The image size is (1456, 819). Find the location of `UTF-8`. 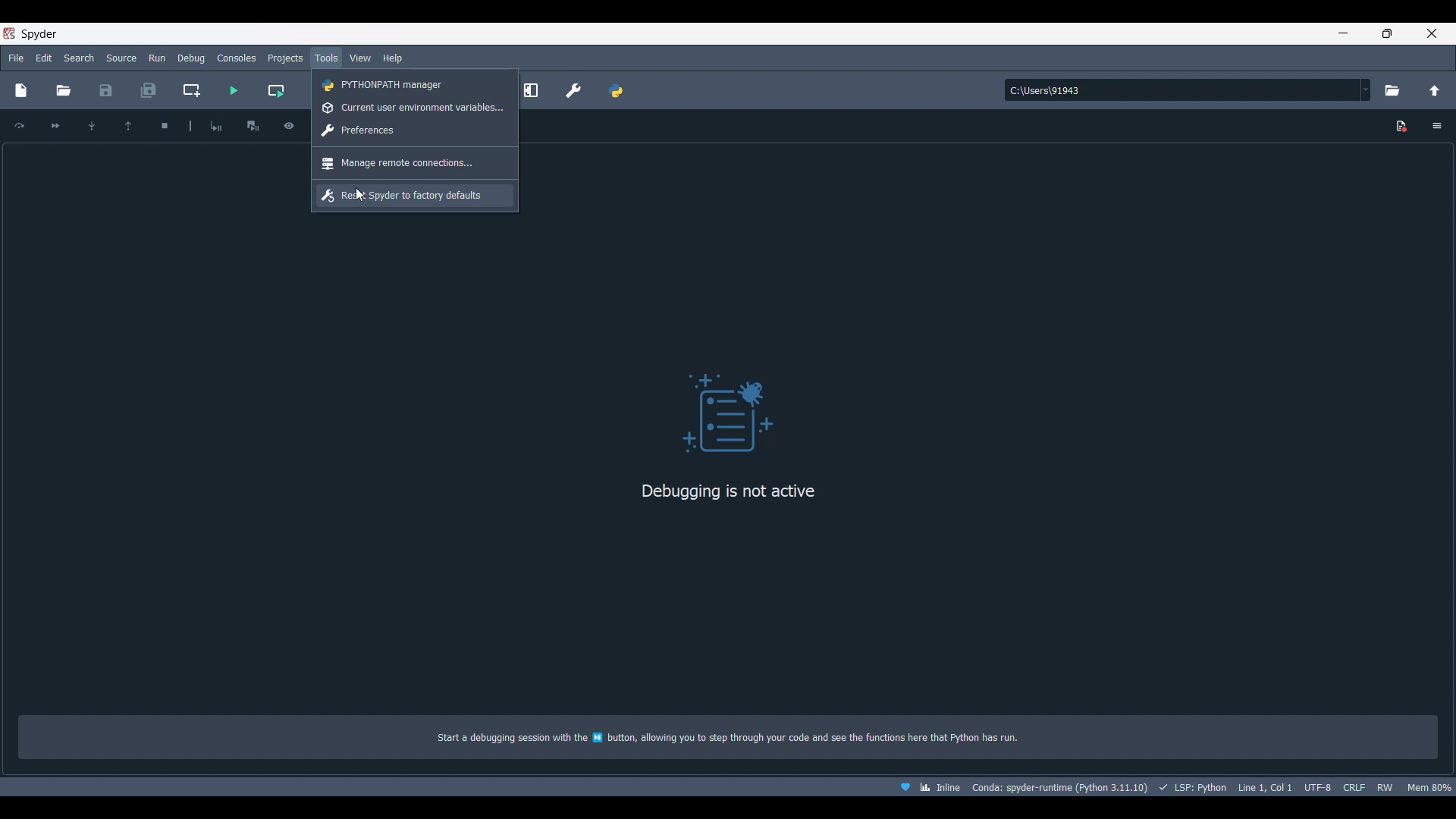

UTF-8 is located at coordinates (1317, 786).